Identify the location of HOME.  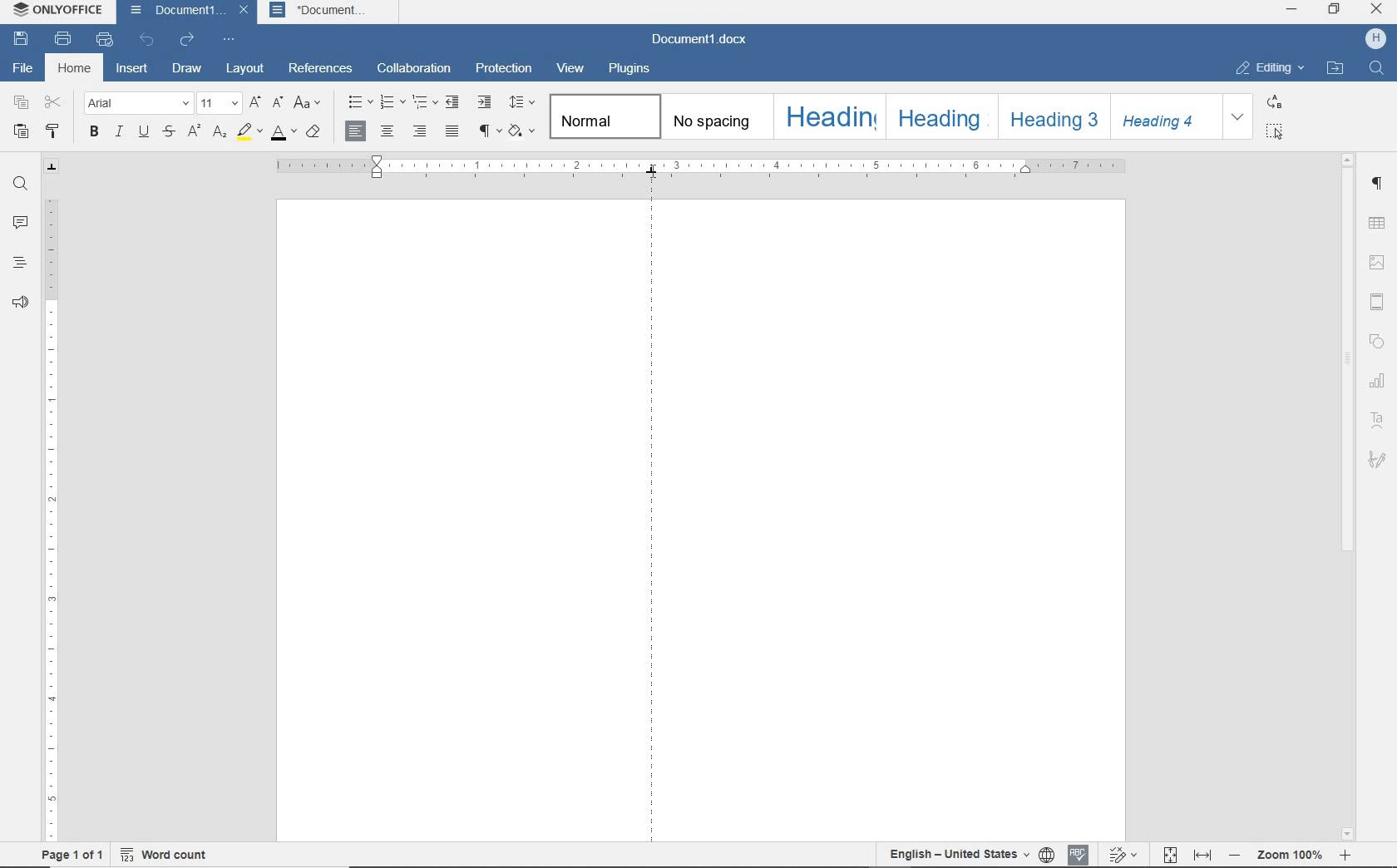
(77, 70).